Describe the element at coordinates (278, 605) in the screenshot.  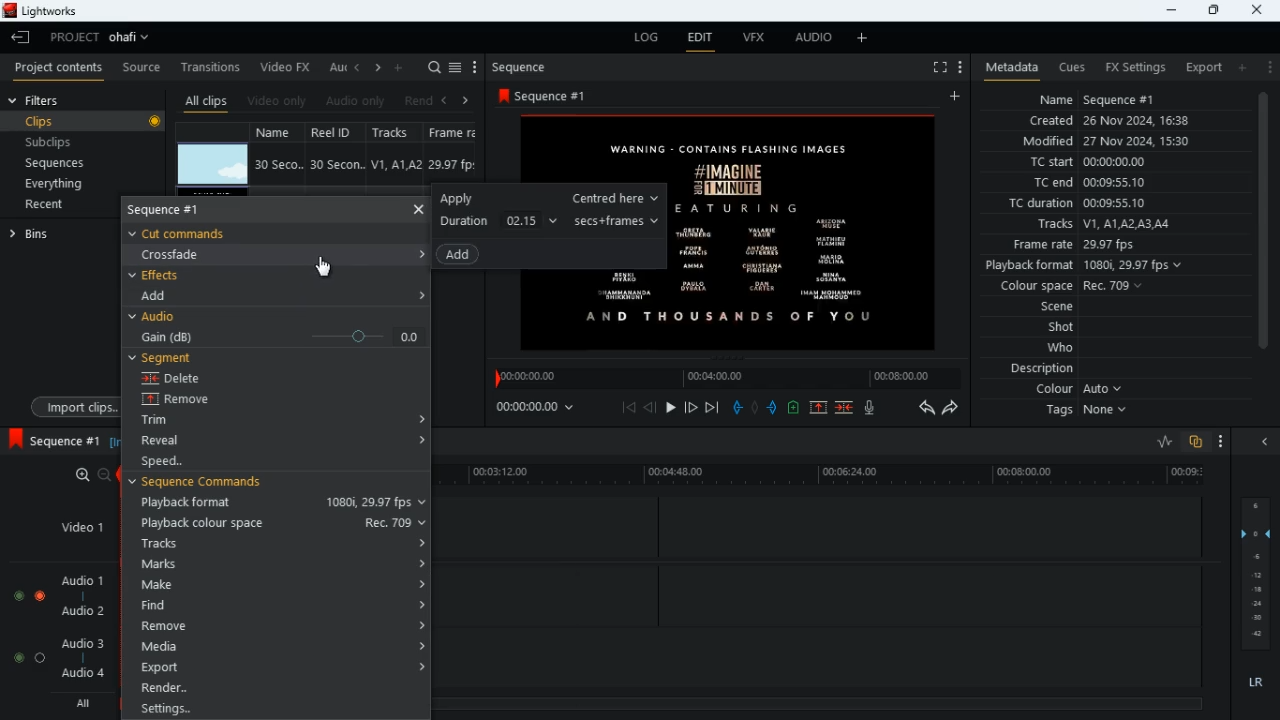
I see `find` at that location.